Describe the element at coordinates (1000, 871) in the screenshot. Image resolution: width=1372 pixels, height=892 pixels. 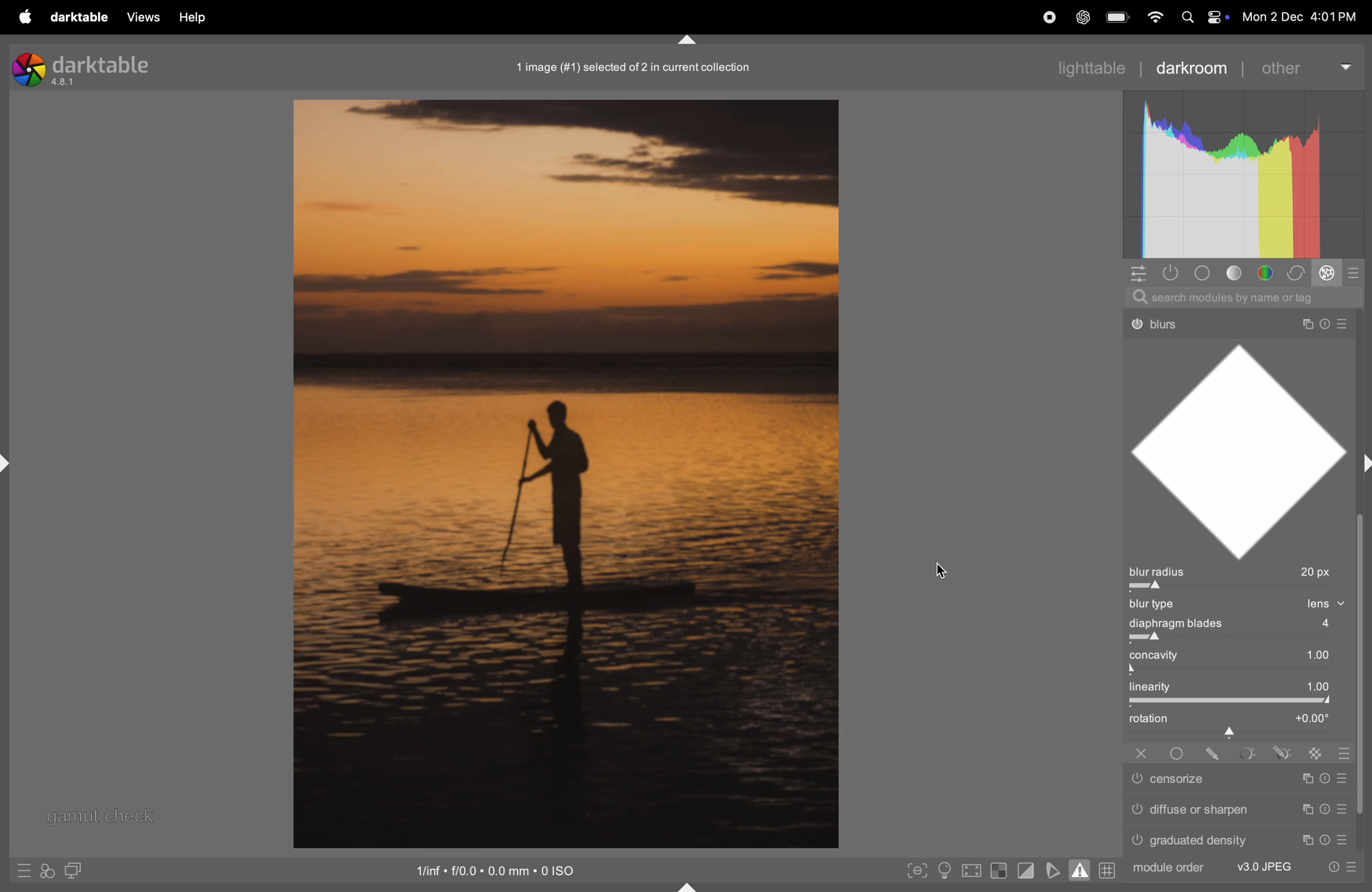
I see `toggle indication of raw exposure` at that location.